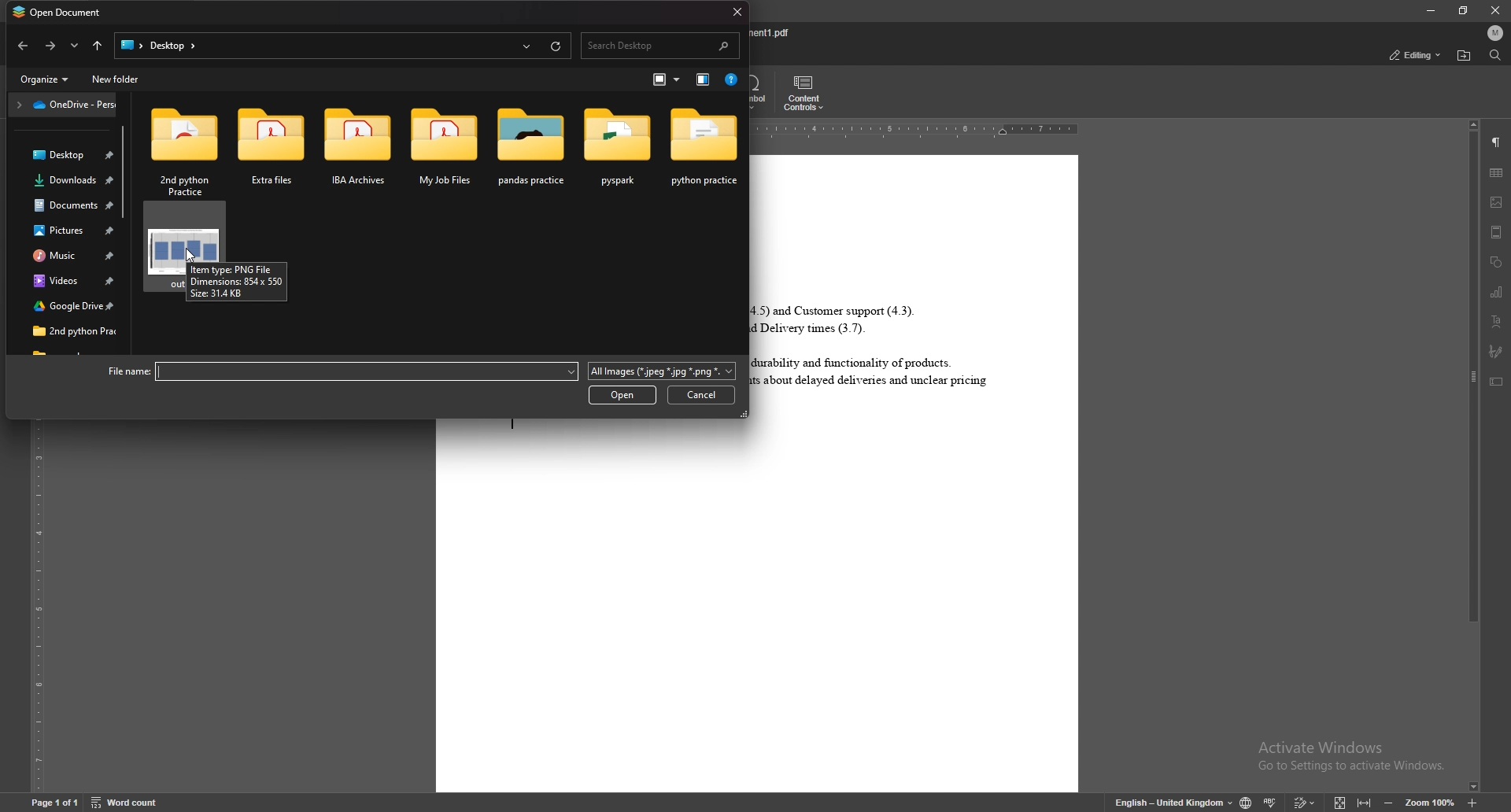  Describe the element at coordinates (1465, 55) in the screenshot. I see `locate file` at that location.